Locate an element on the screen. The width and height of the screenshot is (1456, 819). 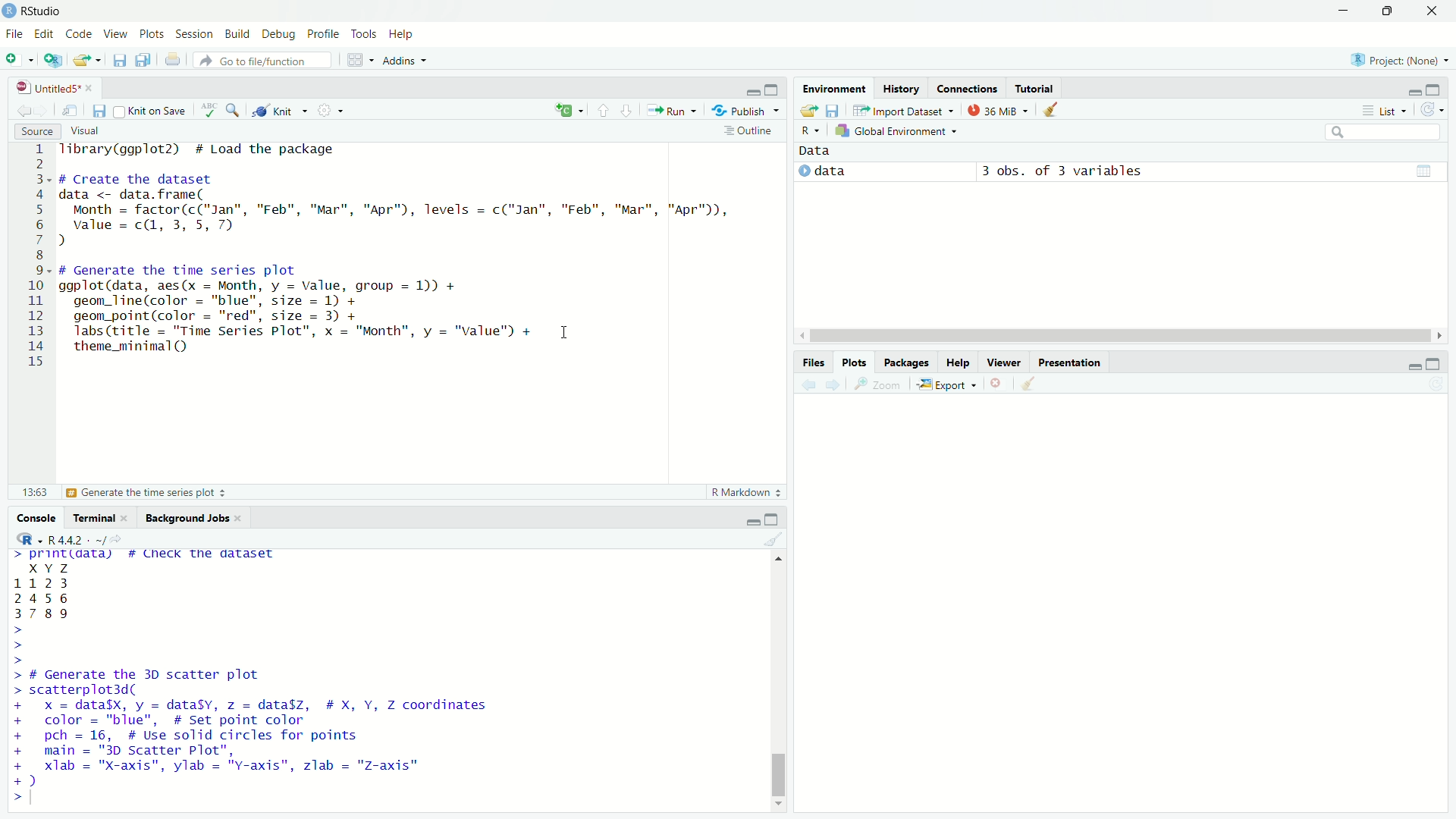
Environment is located at coordinates (835, 89).